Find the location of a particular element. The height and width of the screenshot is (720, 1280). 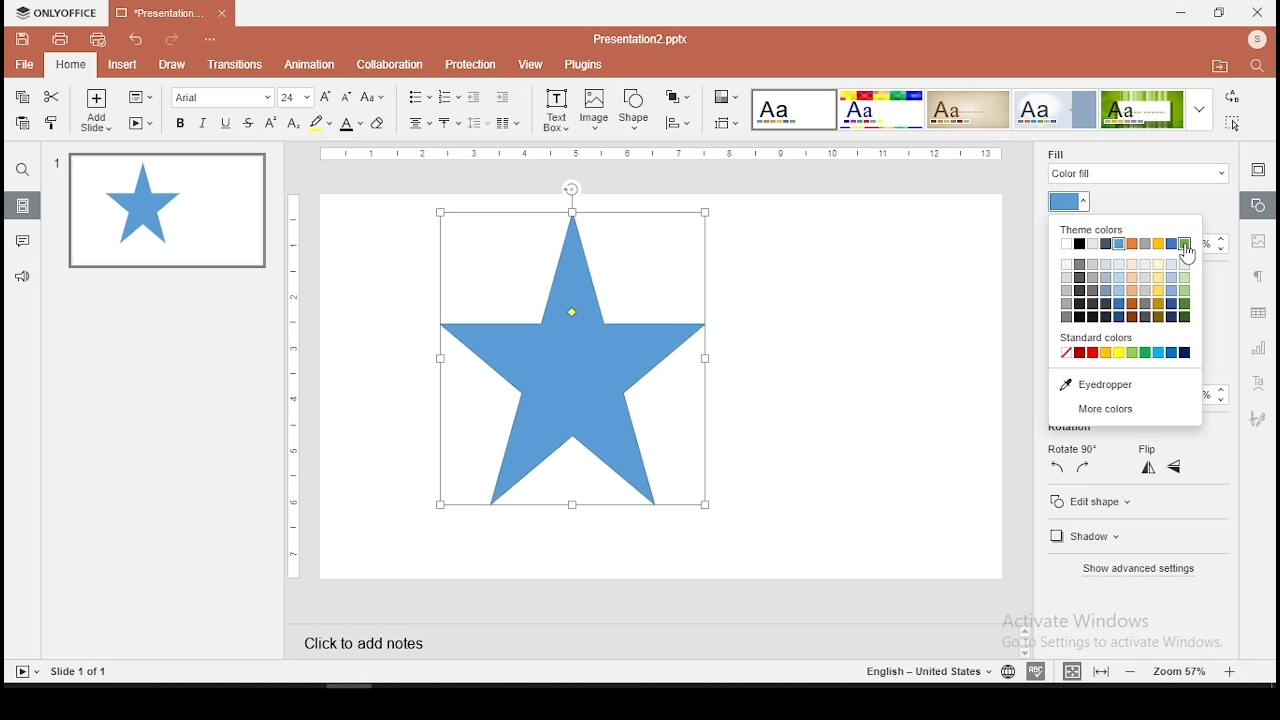

zoom out is located at coordinates (1134, 671).